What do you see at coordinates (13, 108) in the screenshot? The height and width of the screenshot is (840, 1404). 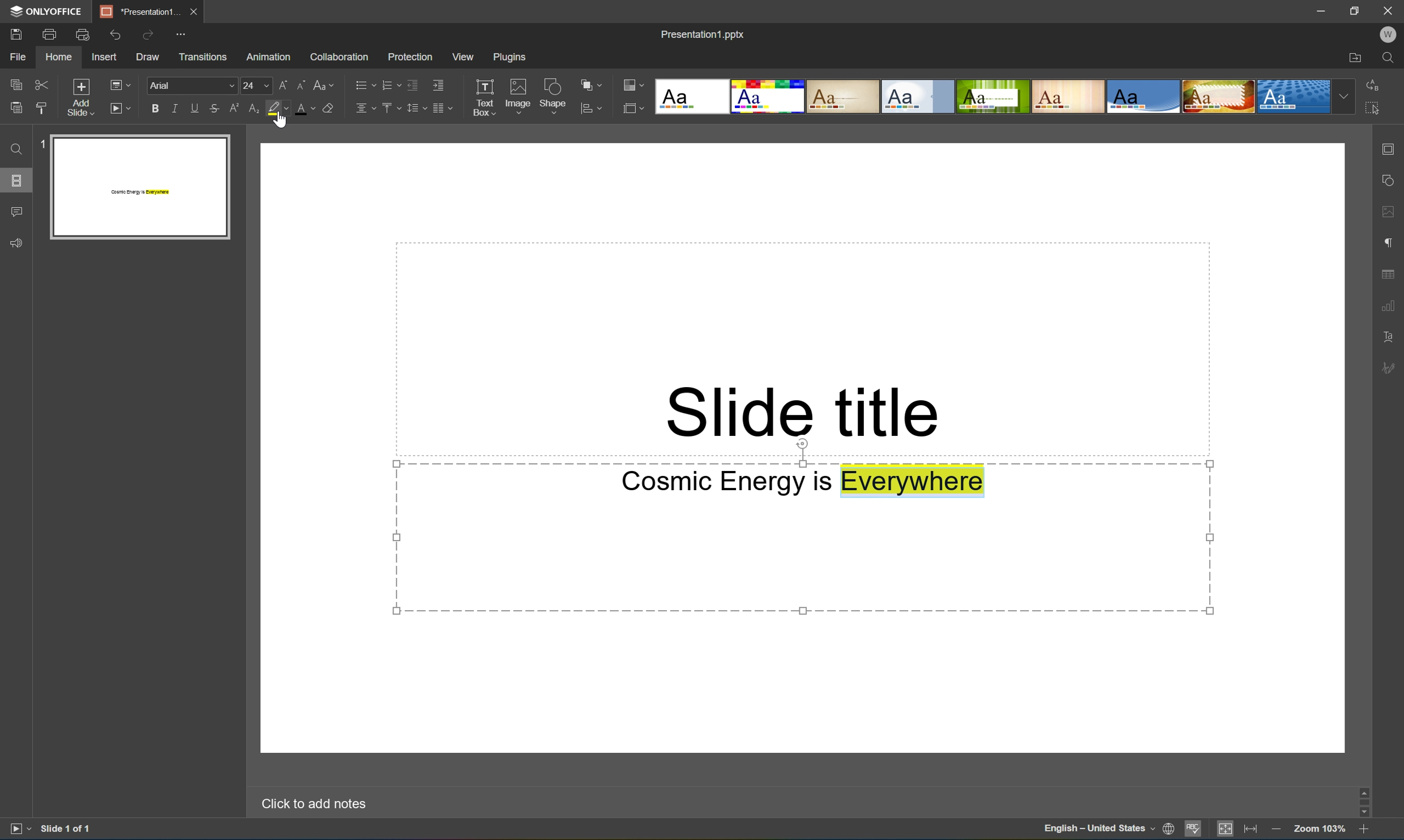 I see `Paste` at bounding box center [13, 108].